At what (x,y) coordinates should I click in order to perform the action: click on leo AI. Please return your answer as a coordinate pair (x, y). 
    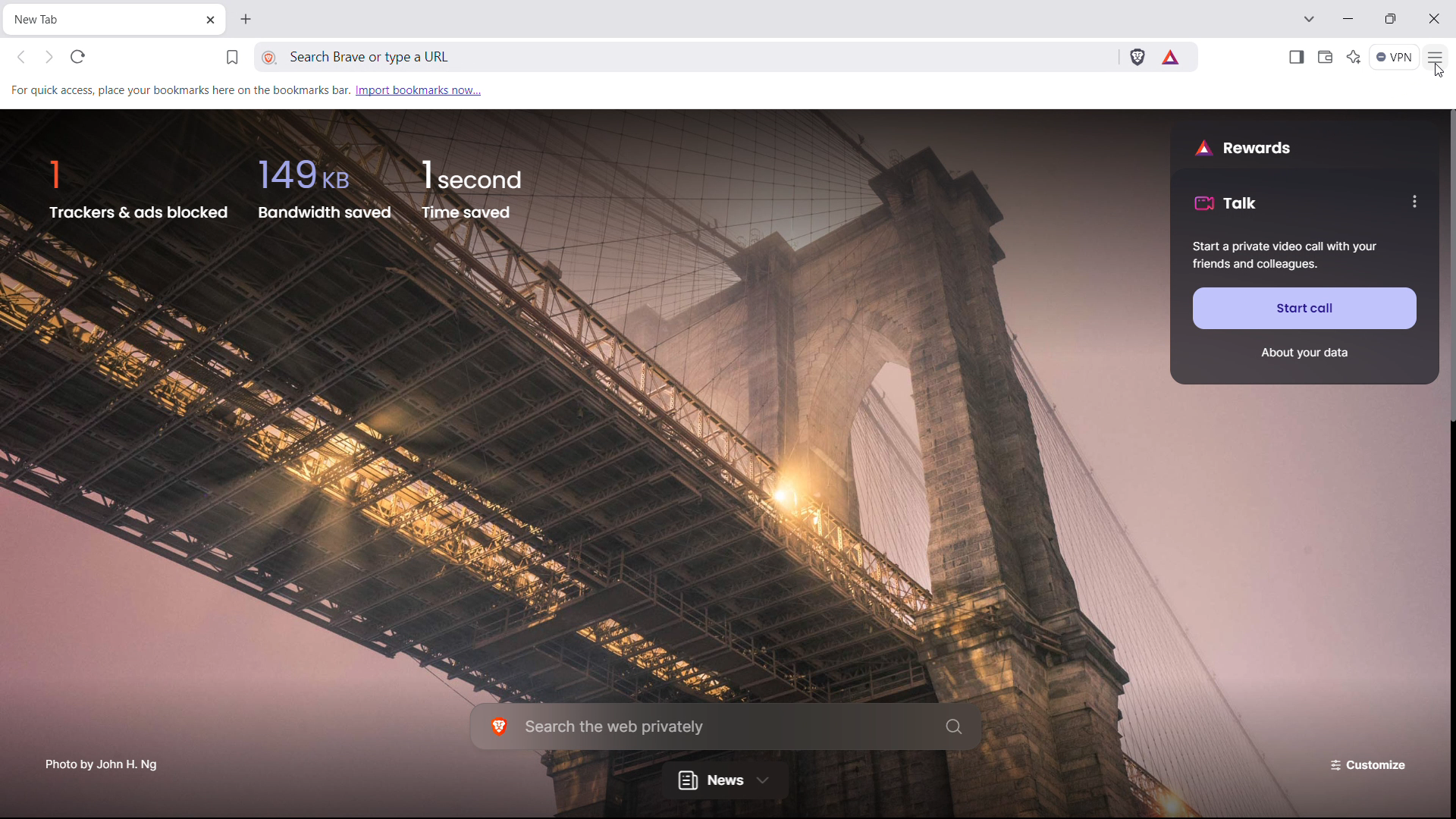
    Looking at the image, I should click on (1354, 55).